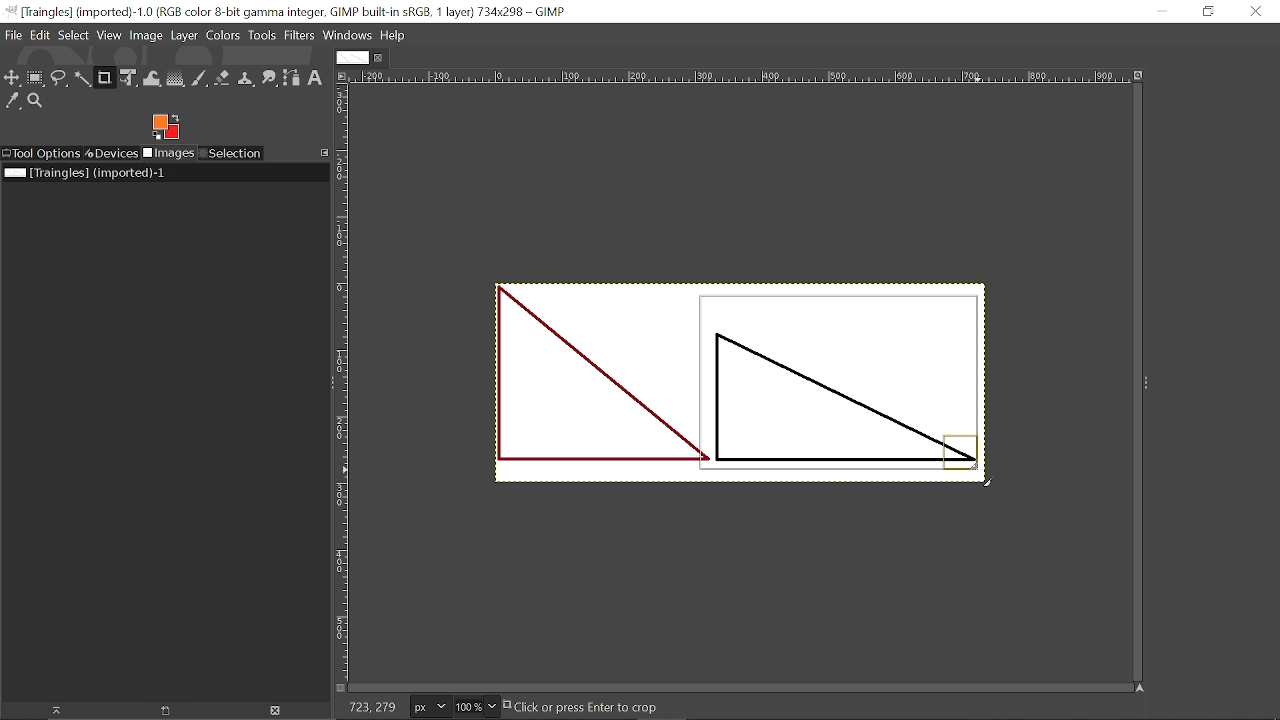 Image resolution: width=1280 pixels, height=720 pixels. I want to click on Image, so click(145, 36).